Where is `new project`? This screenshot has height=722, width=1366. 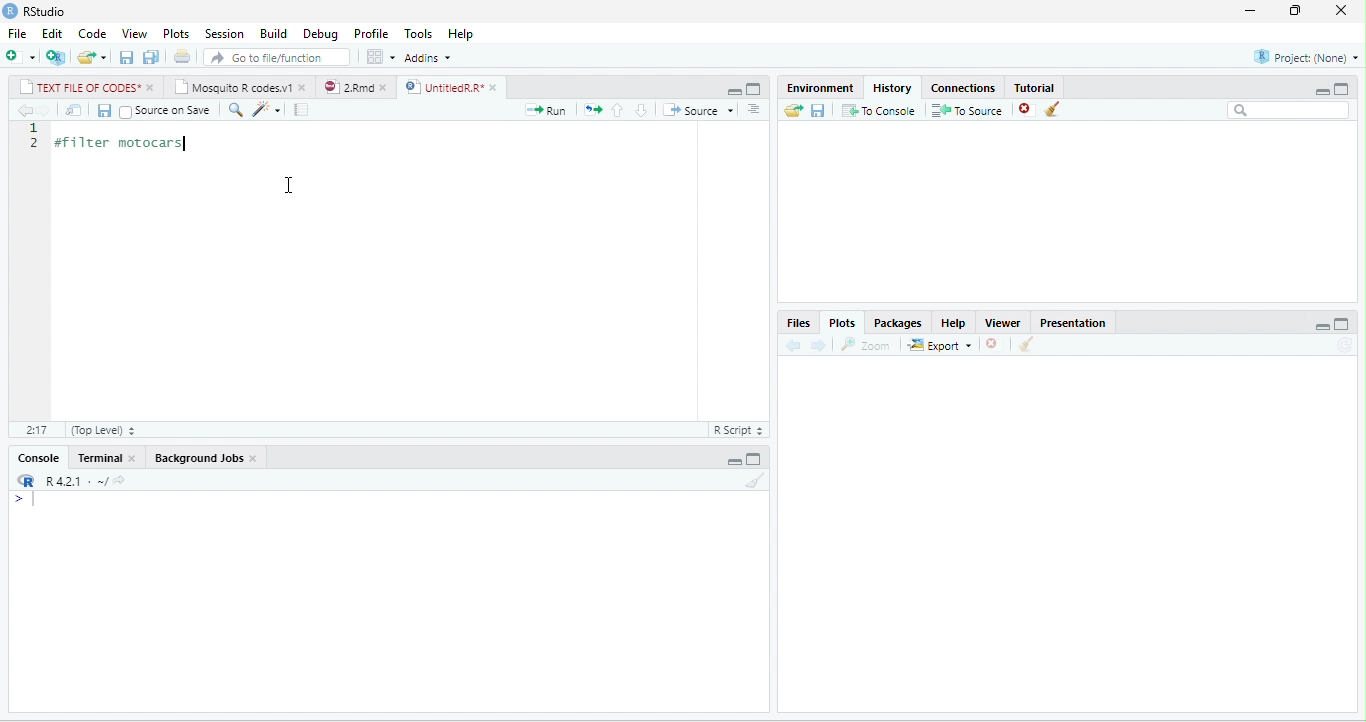
new project is located at coordinates (55, 57).